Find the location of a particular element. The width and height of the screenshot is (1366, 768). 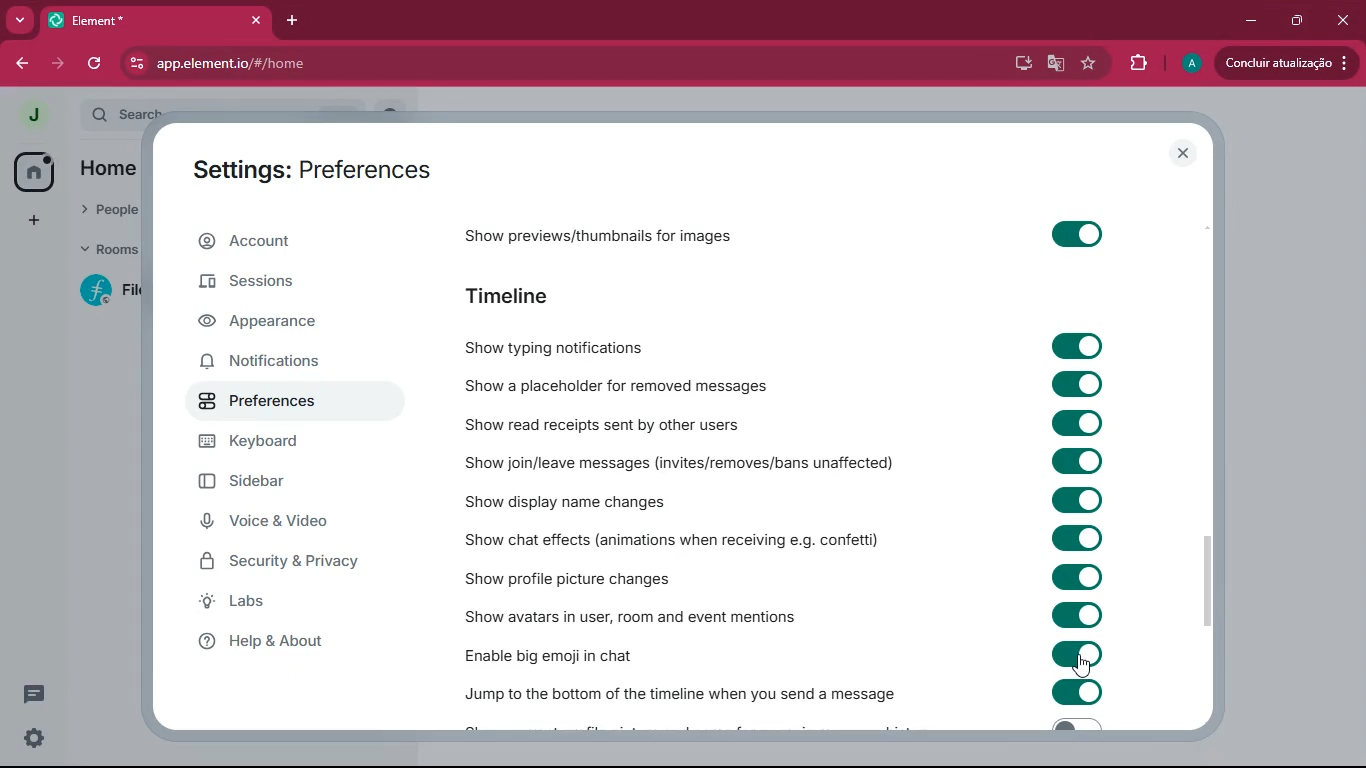

close is located at coordinates (1343, 19).